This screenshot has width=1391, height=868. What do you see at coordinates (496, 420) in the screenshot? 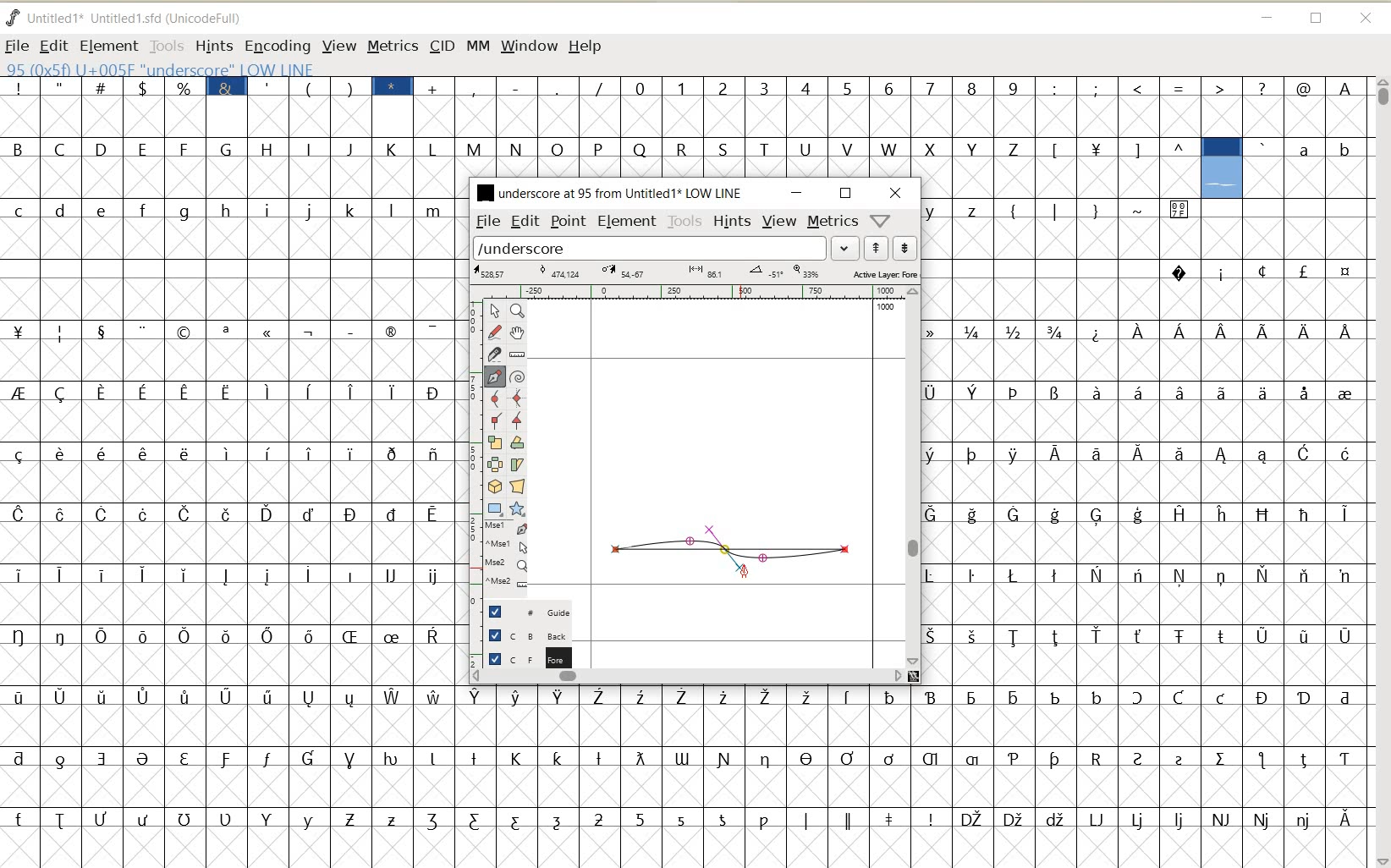
I see `Add a corner point` at bounding box center [496, 420].